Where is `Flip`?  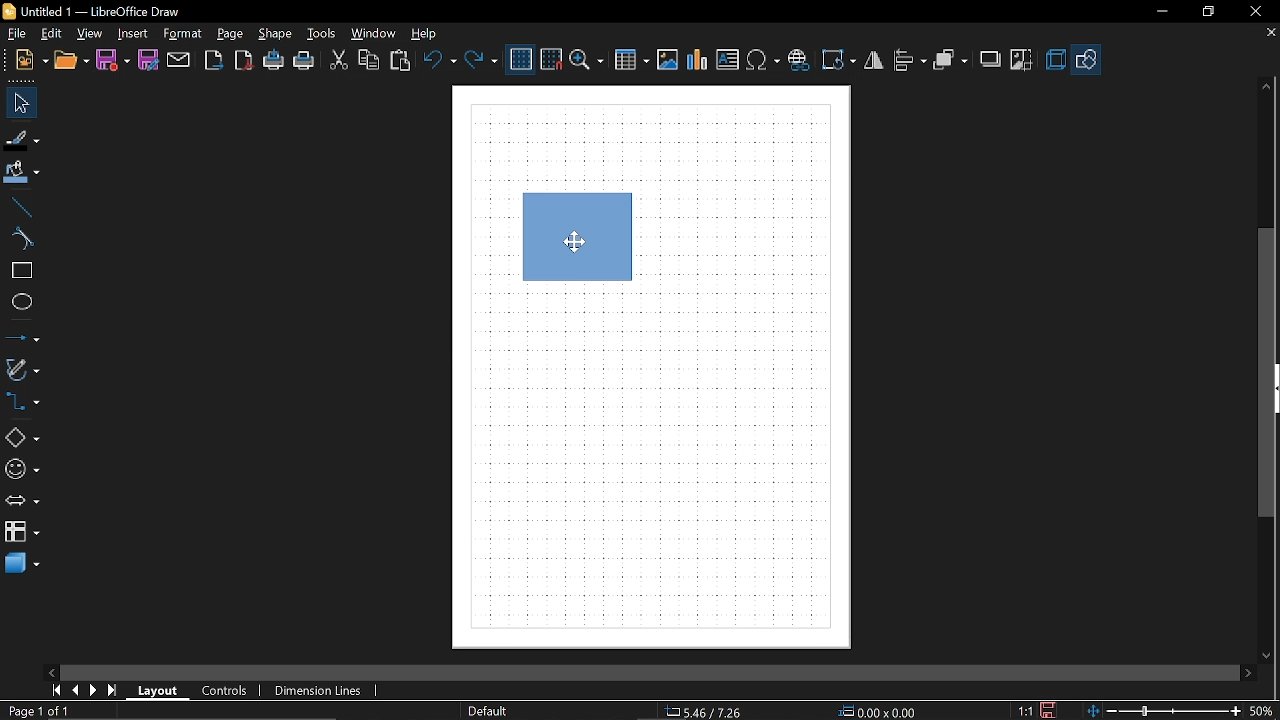
Flip is located at coordinates (876, 61).